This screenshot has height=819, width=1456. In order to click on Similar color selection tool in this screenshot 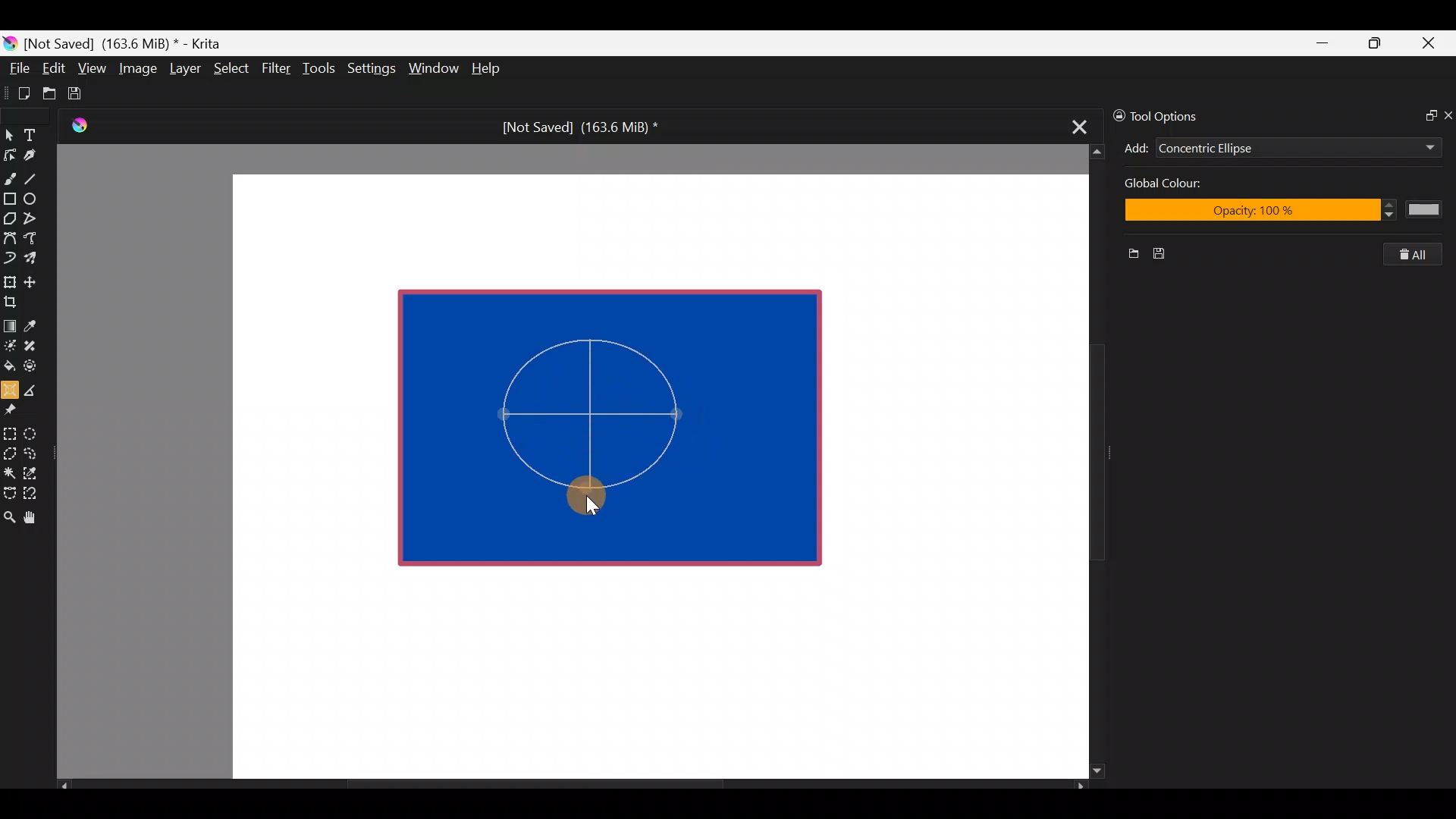, I will do `click(33, 472)`.